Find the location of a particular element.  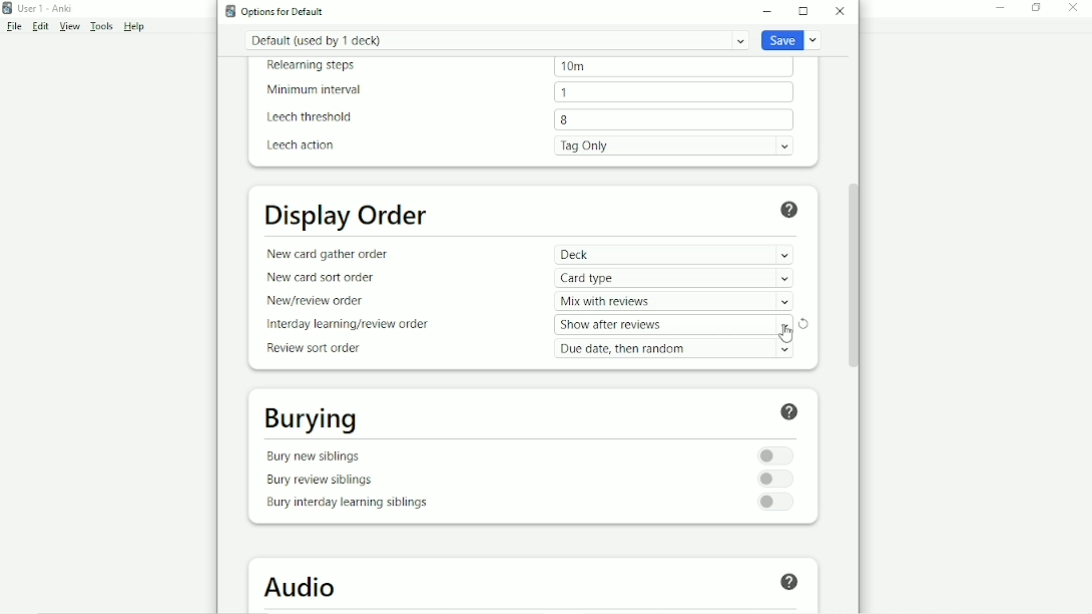

Minimize is located at coordinates (768, 11).